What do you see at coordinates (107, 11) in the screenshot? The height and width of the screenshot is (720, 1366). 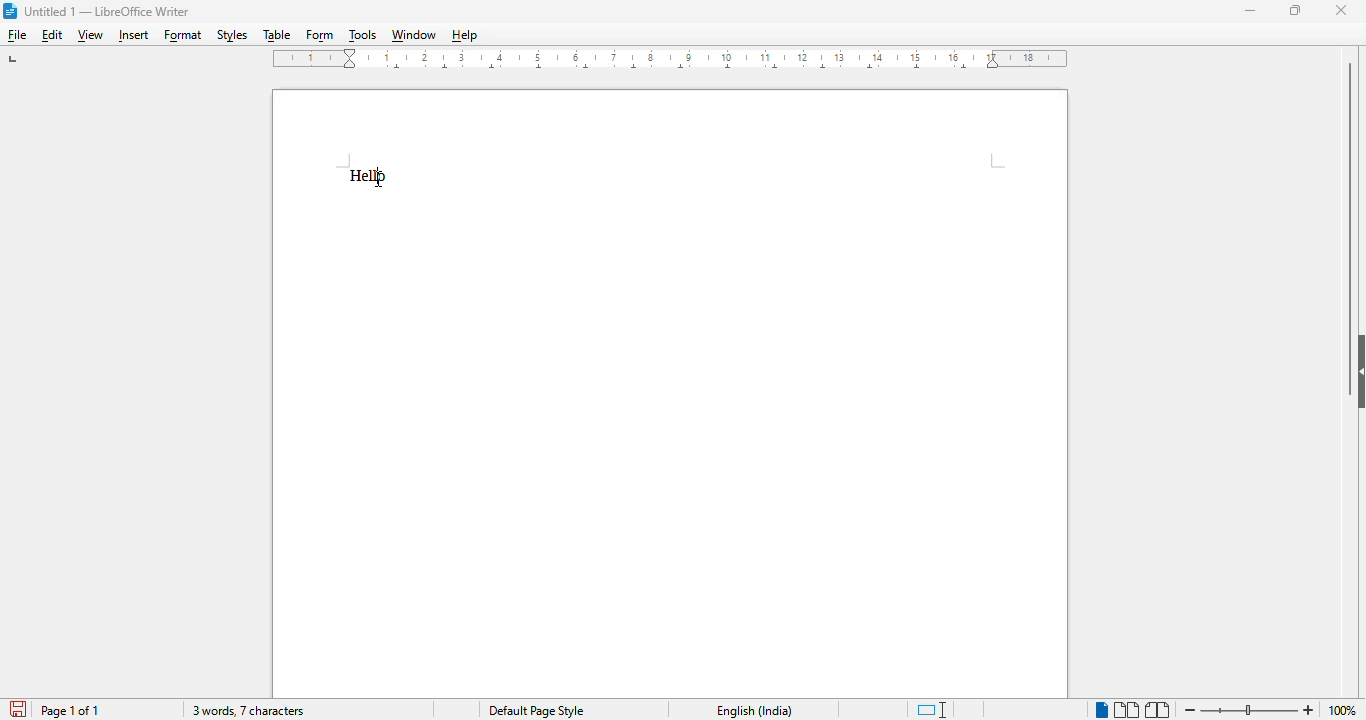 I see `title` at bounding box center [107, 11].